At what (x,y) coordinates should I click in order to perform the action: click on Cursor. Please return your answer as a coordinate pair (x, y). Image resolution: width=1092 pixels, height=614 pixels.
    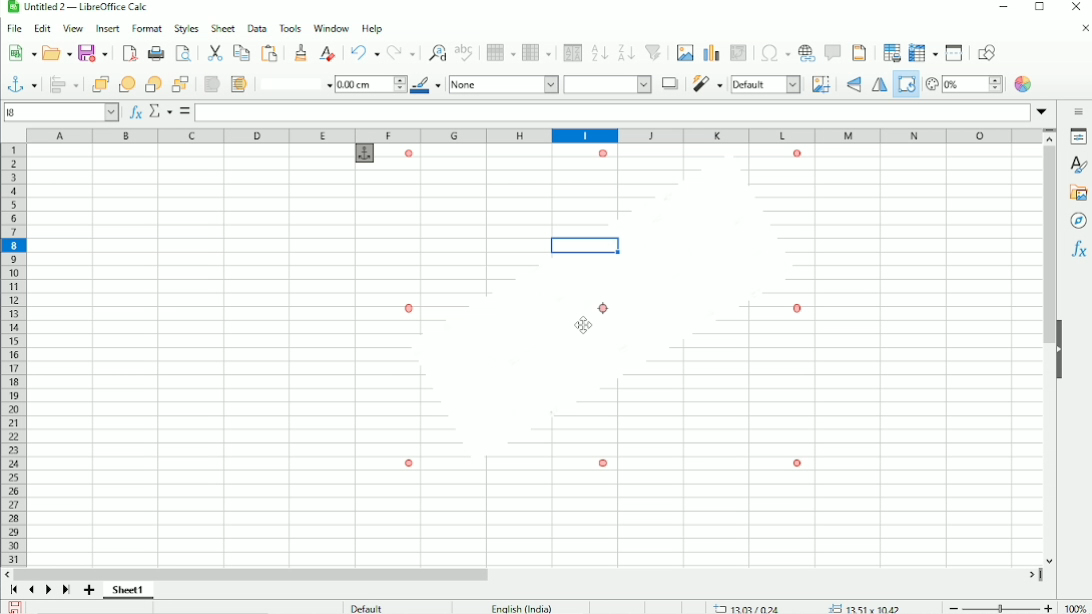
    Looking at the image, I should click on (584, 326).